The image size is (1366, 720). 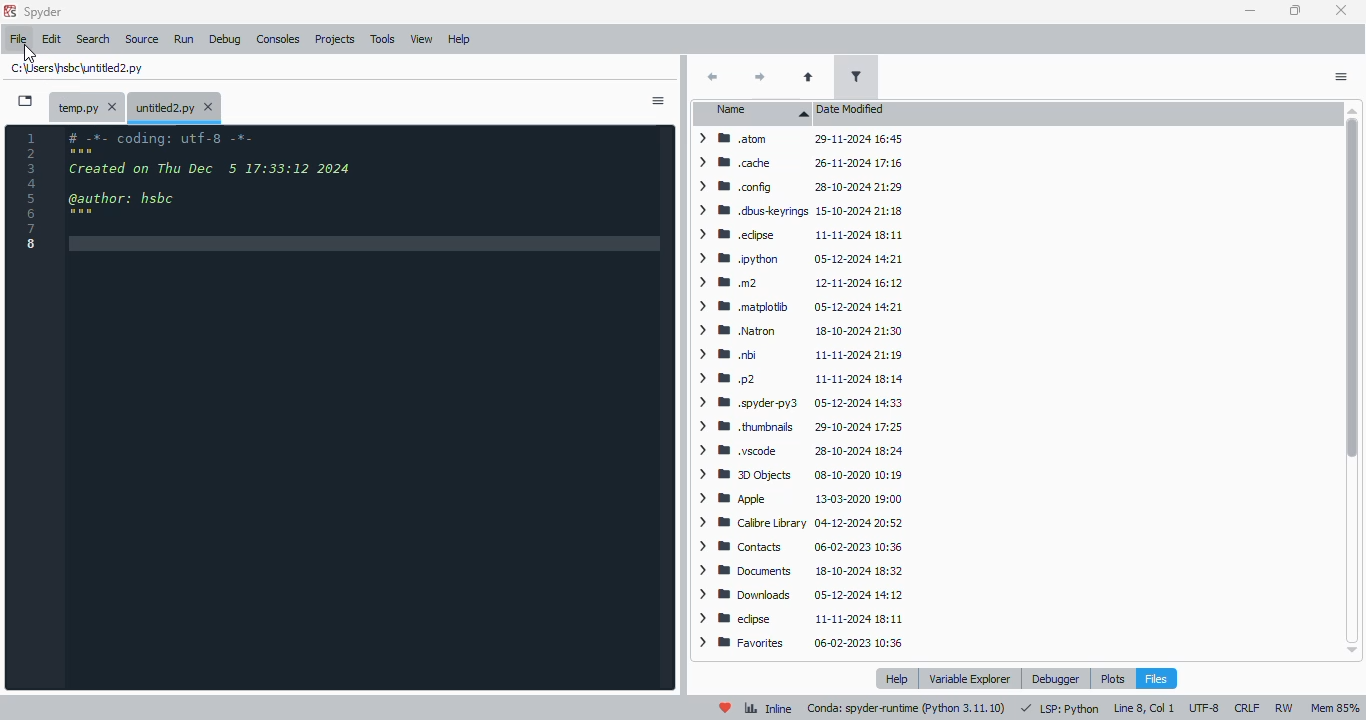 I want to click on temporary file, so click(x=76, y=107).